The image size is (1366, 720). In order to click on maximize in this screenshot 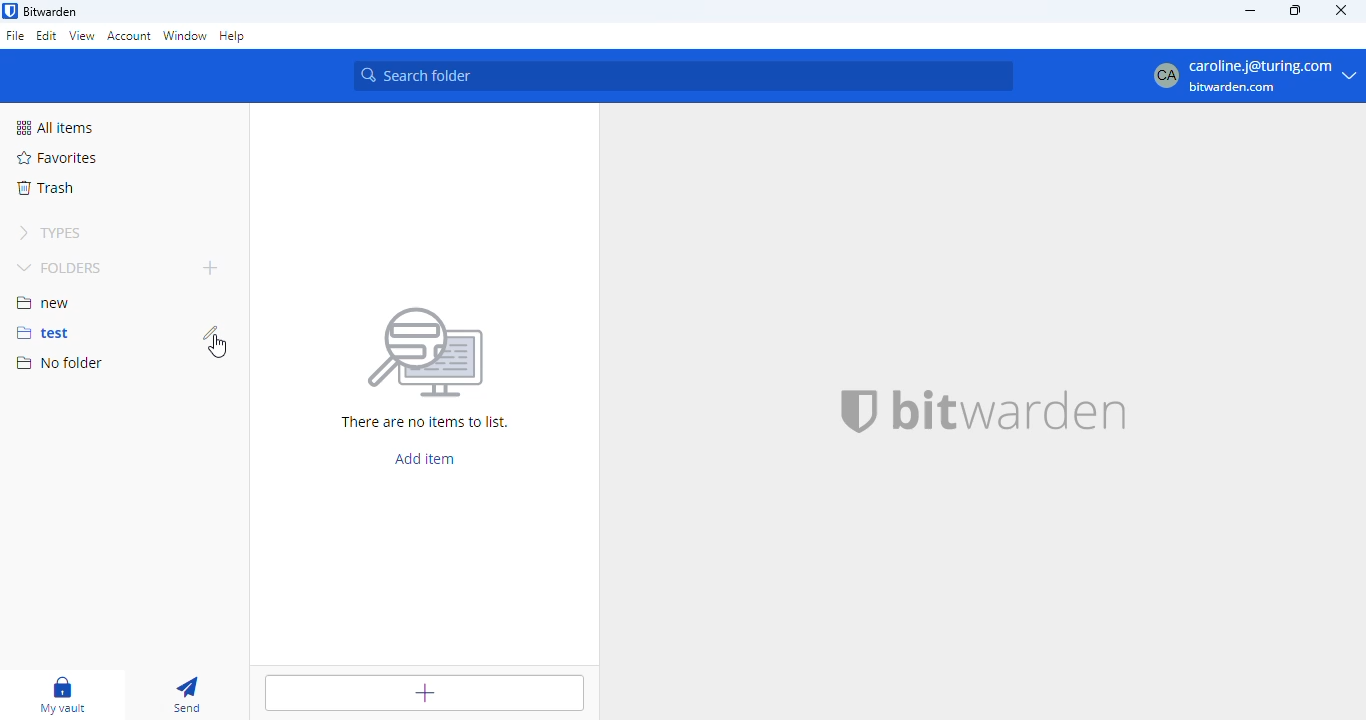, I will do `click(1295, 11)`.